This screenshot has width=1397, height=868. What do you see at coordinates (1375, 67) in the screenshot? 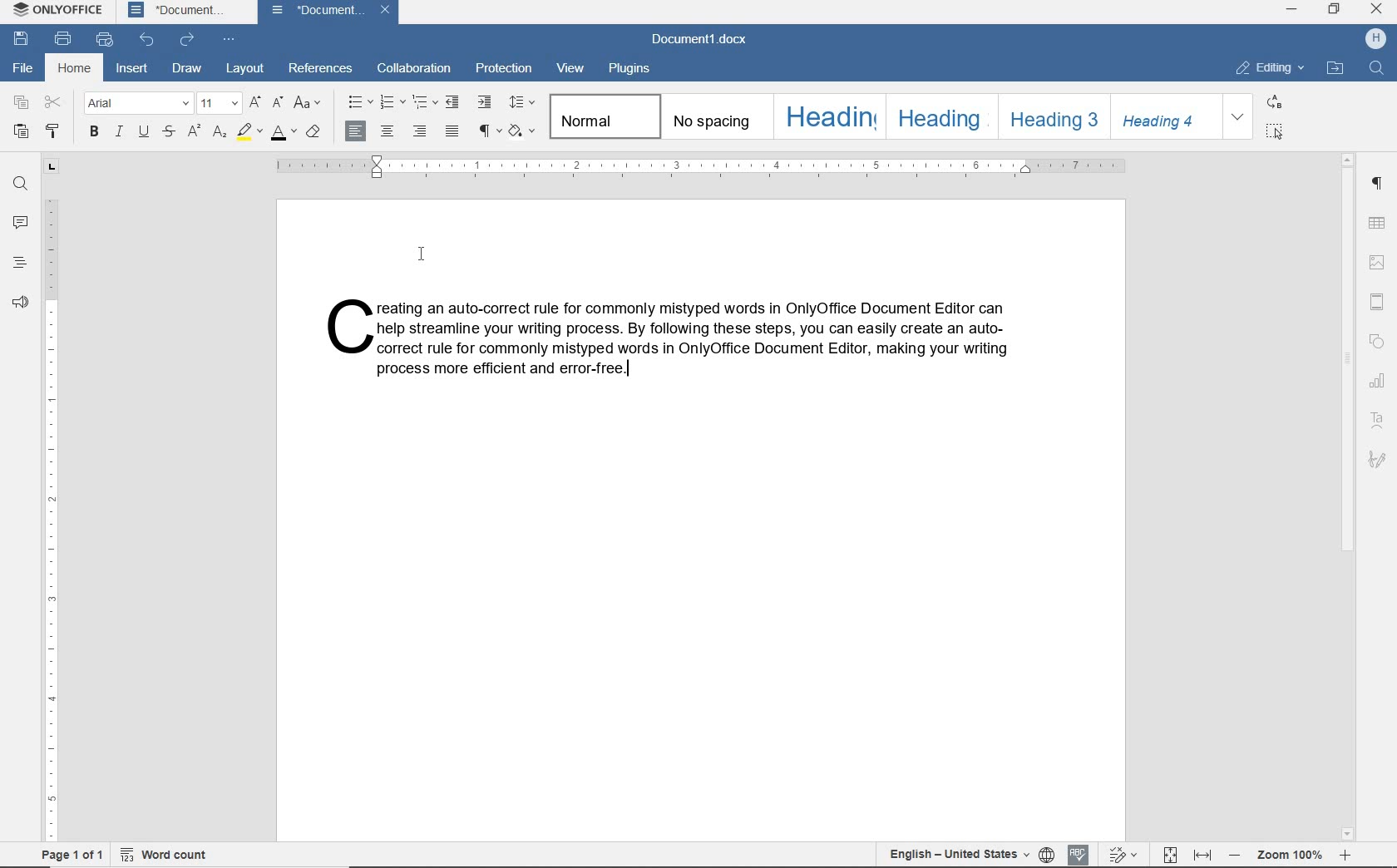
I see `Search` at bounding box center [1375, 67].